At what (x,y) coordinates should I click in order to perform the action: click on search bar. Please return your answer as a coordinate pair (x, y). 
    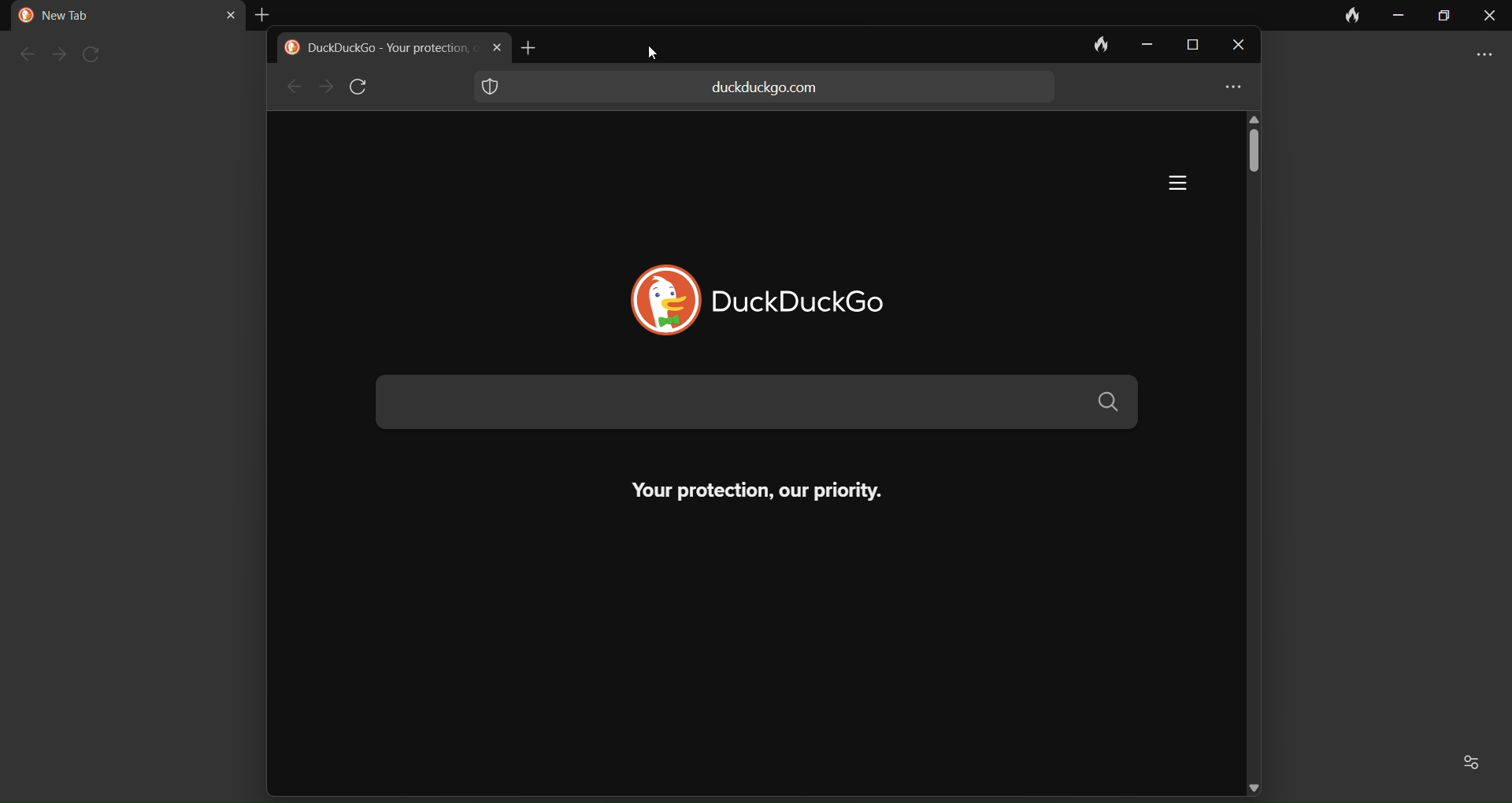
    Looking at the image, I should click on (754, 403).